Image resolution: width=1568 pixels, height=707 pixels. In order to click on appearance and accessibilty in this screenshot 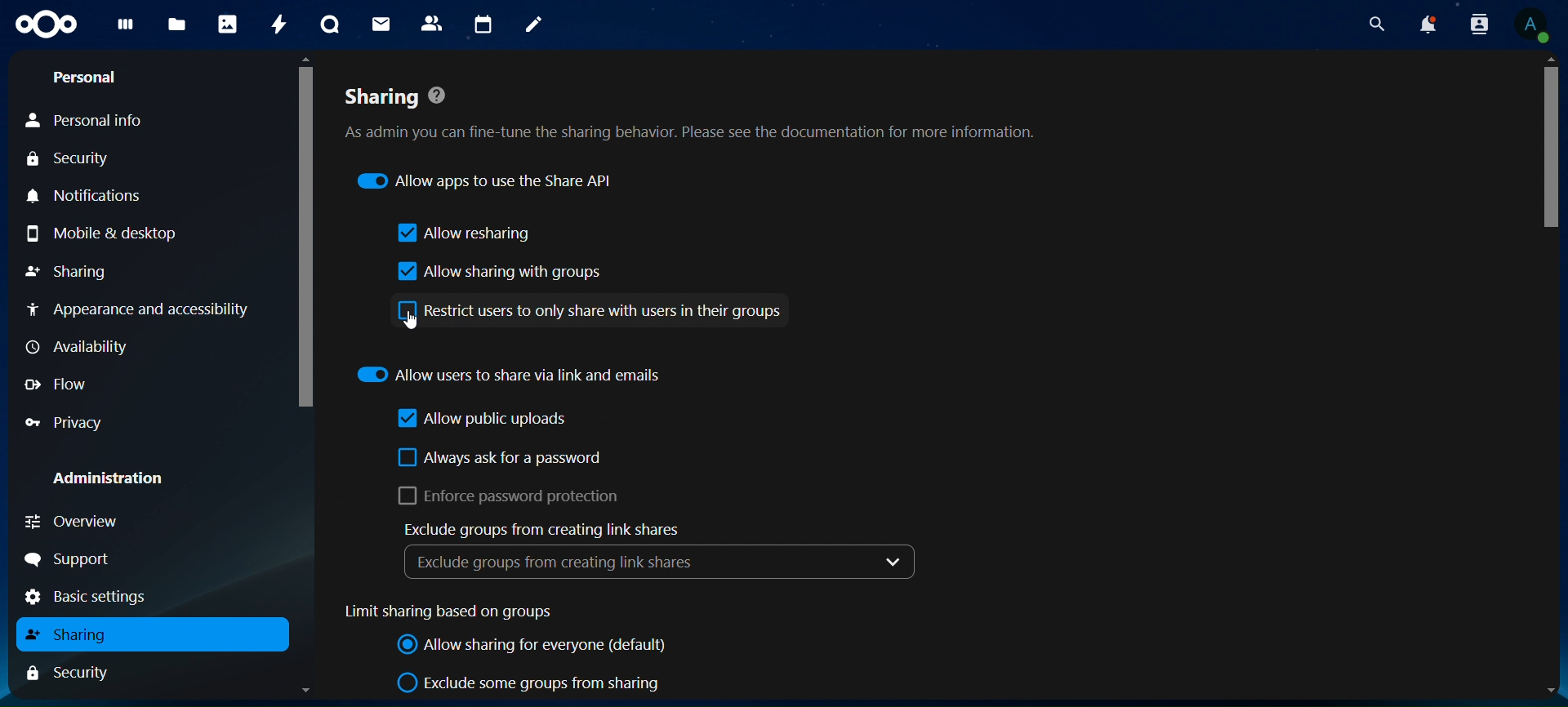, I will do `click(139, 306)`.